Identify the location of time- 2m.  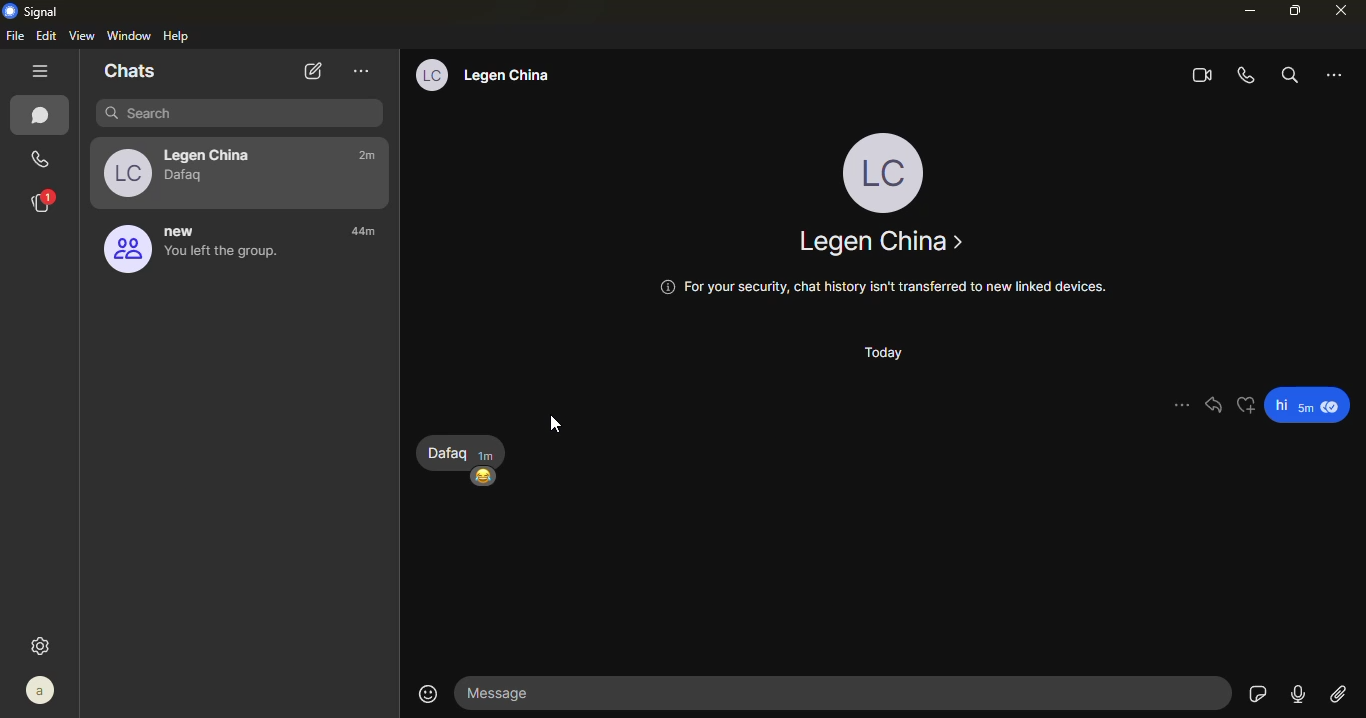
(368, 157).